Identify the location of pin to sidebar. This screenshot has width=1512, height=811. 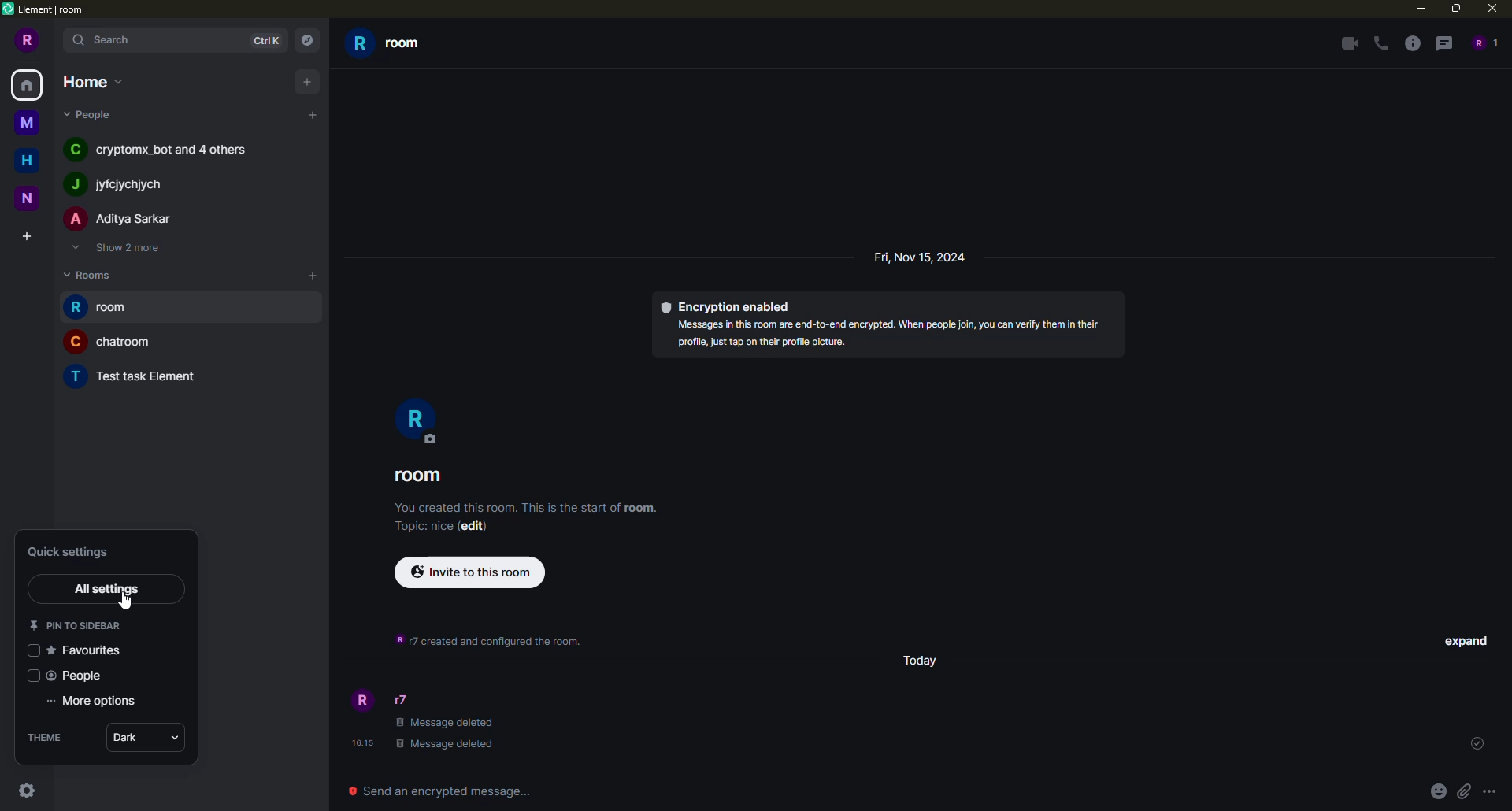
(77, 624).